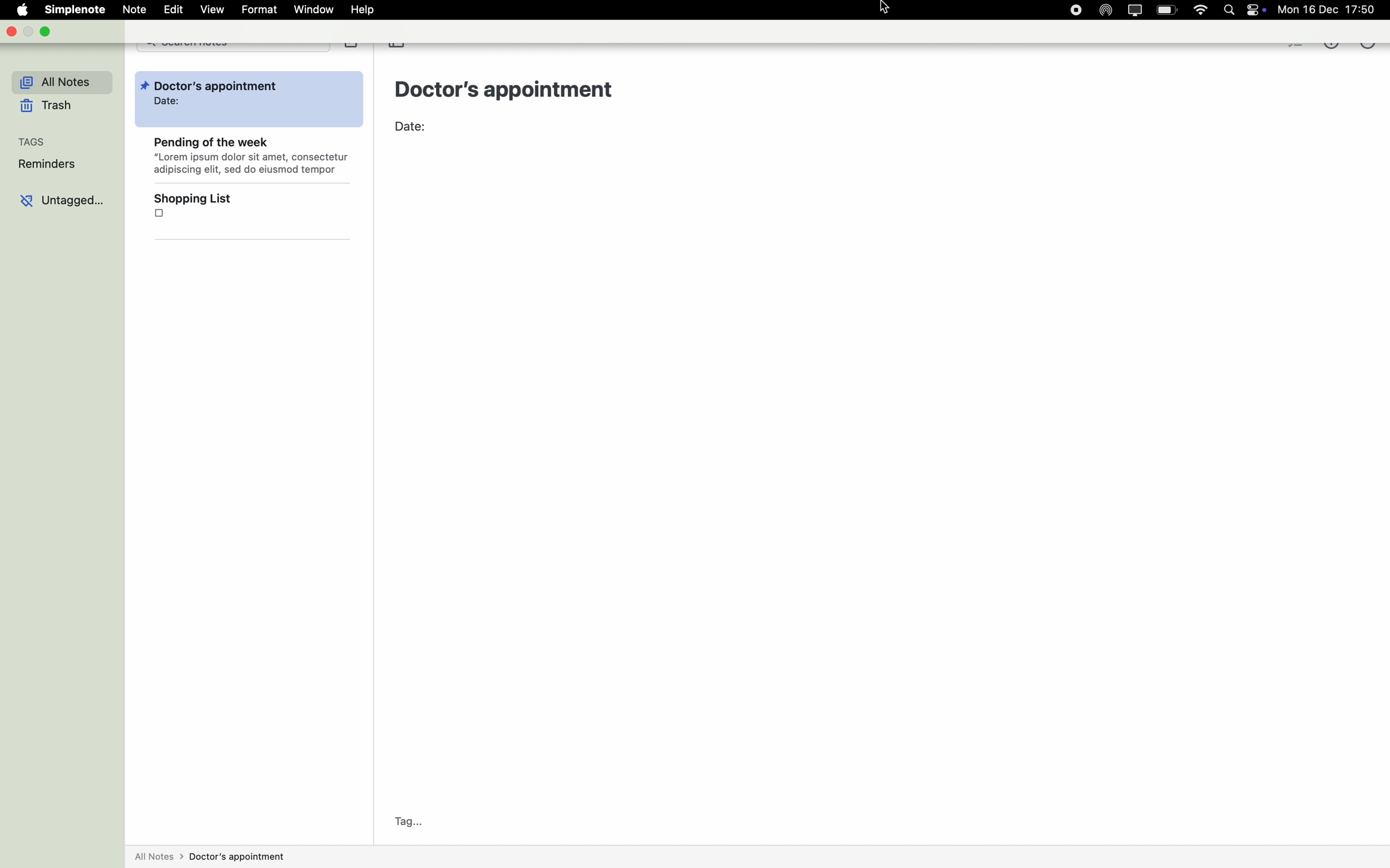 The width and height of the screenshot is (1390, 868). What do you see at coordinates (250, 212) in the screenshot?
I see `shopping list note` at bounding box center [250, 212].